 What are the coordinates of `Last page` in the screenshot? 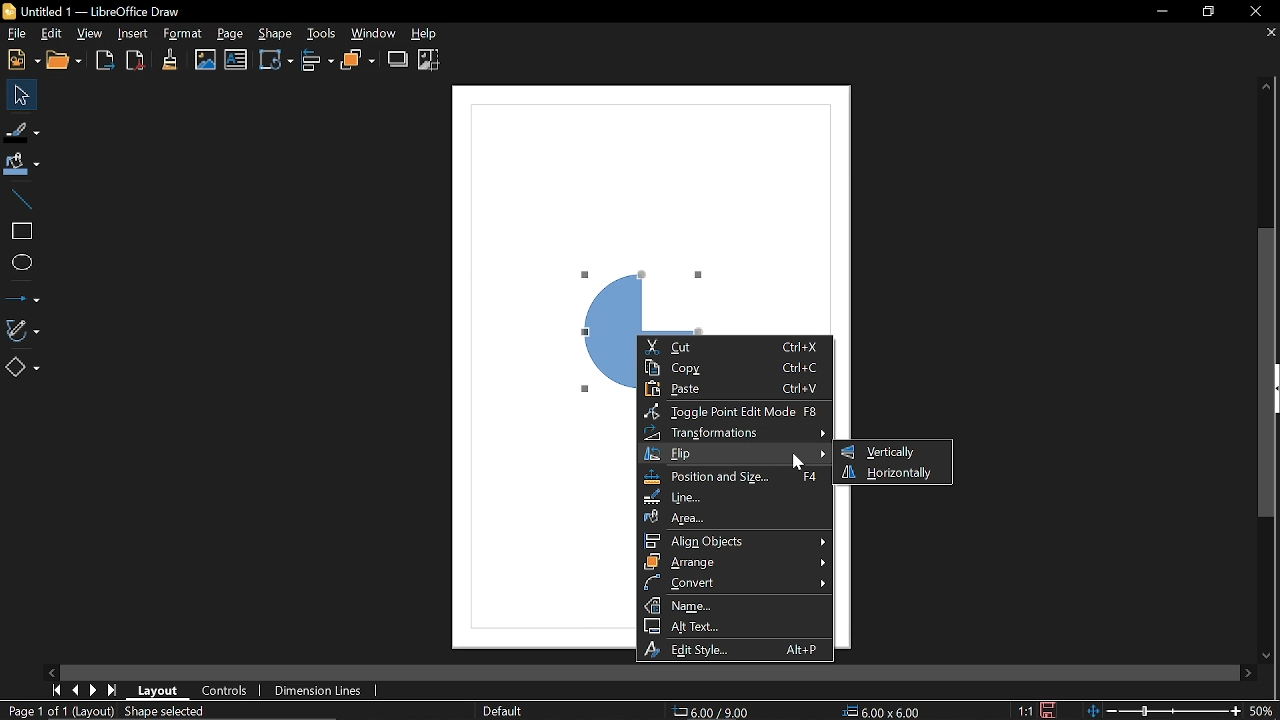 It's located at (112, 690).